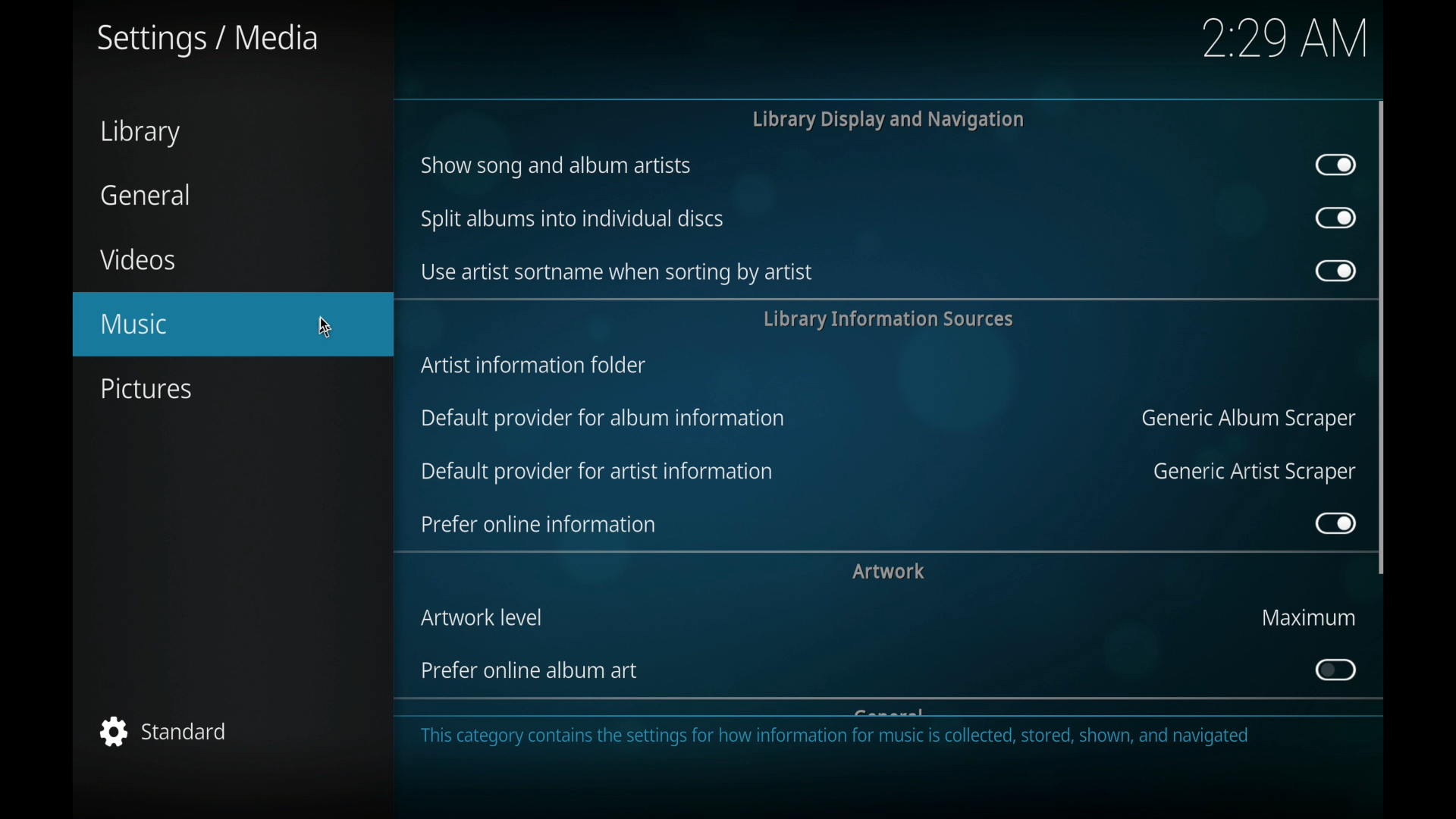 The width and height of the screenshot is (1456, 819). I want to click on generic album scraper, so click(1246, 419).